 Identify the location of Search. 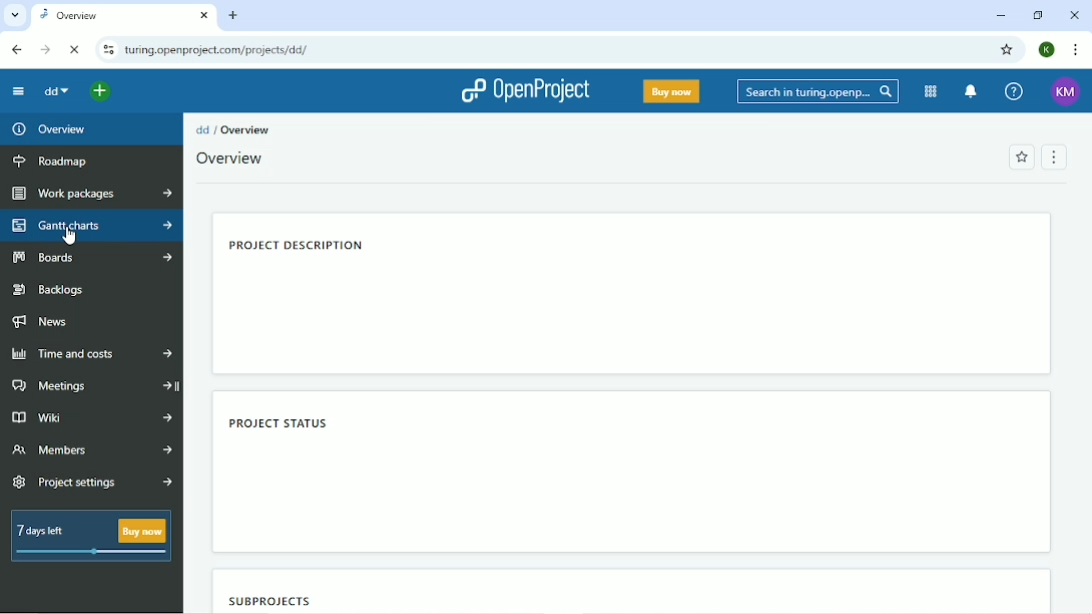
(818, 92).